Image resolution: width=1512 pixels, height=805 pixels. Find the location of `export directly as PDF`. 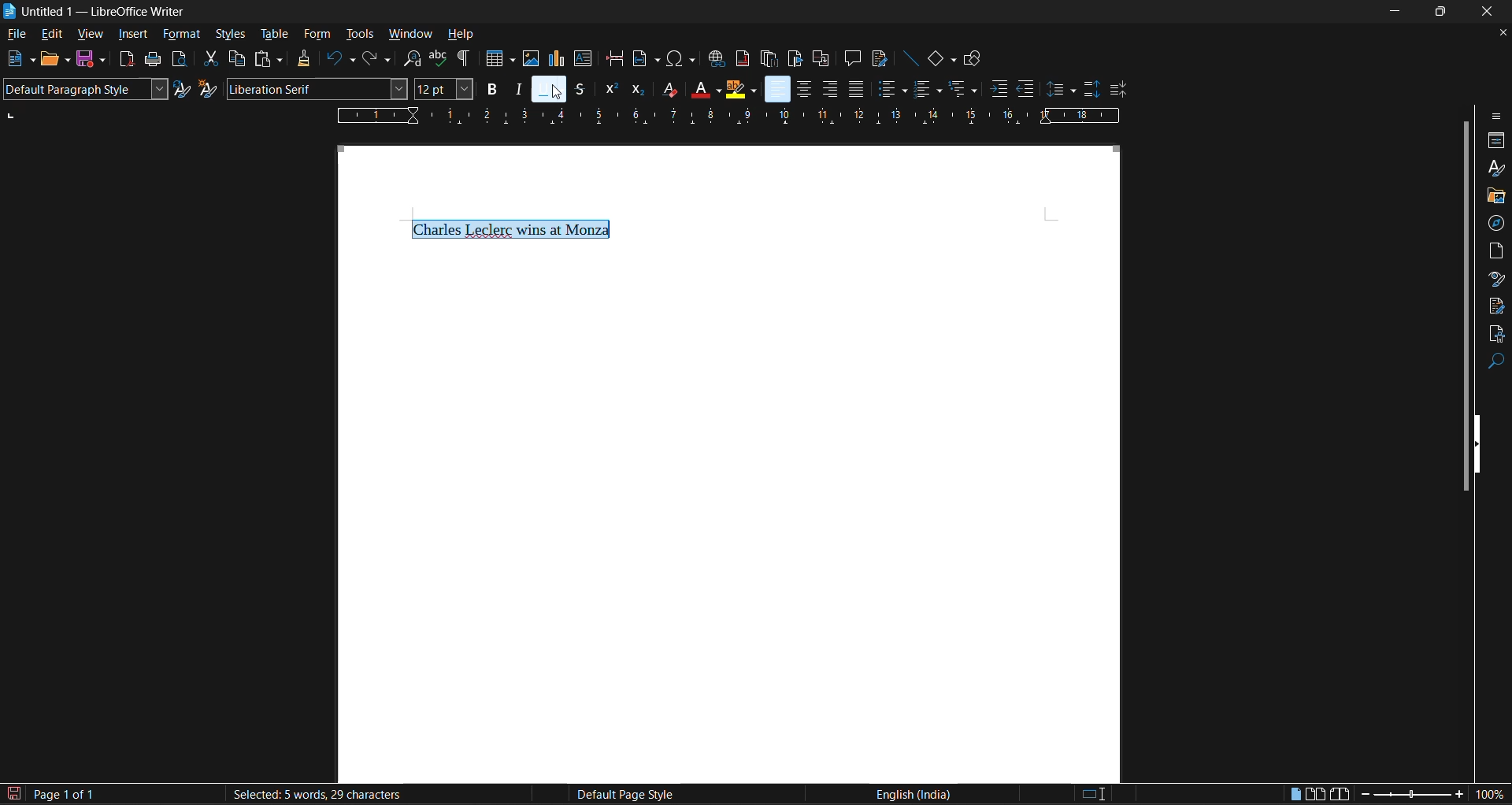

export directly as PDF is located at coordinates (129, 60).